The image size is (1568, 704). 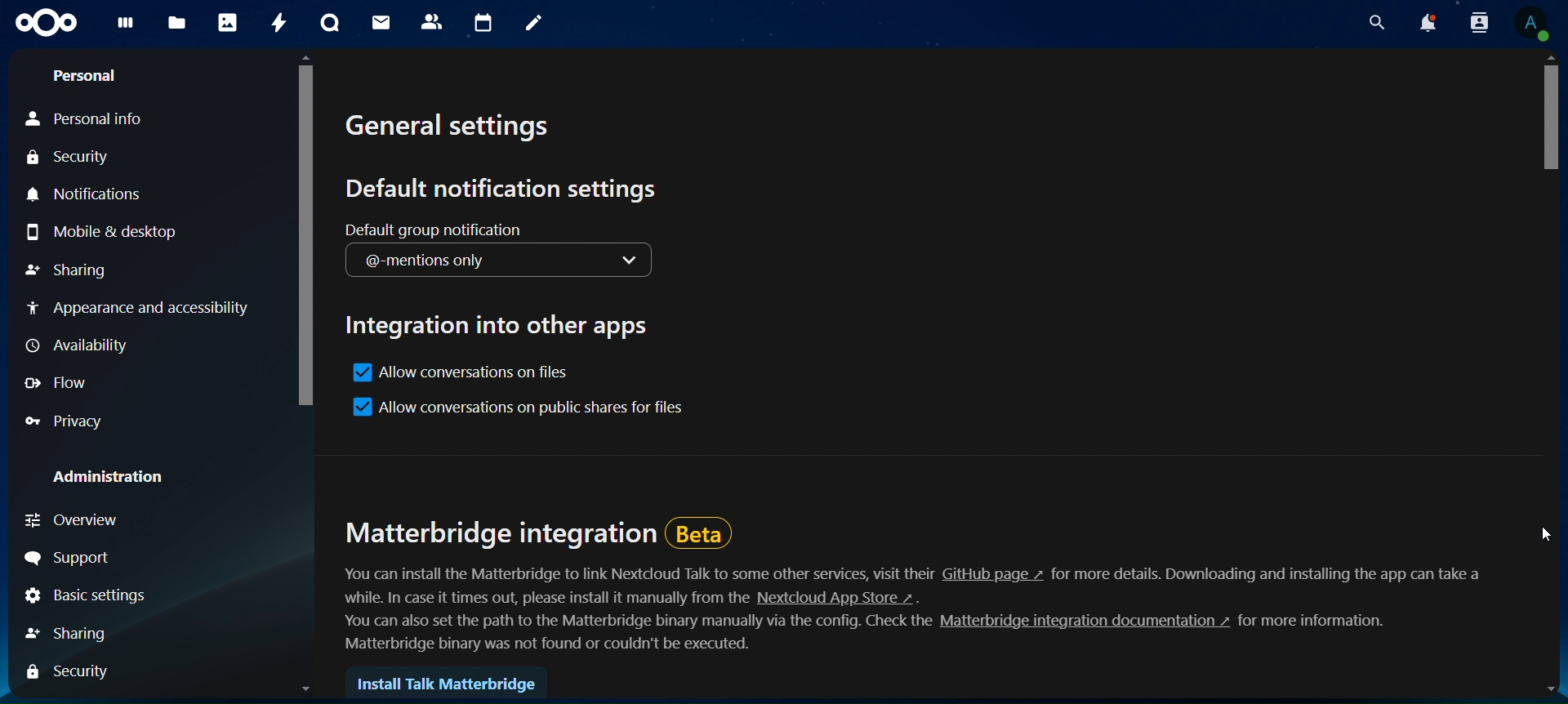 I want to click on overview , so click(x=78, y=519).